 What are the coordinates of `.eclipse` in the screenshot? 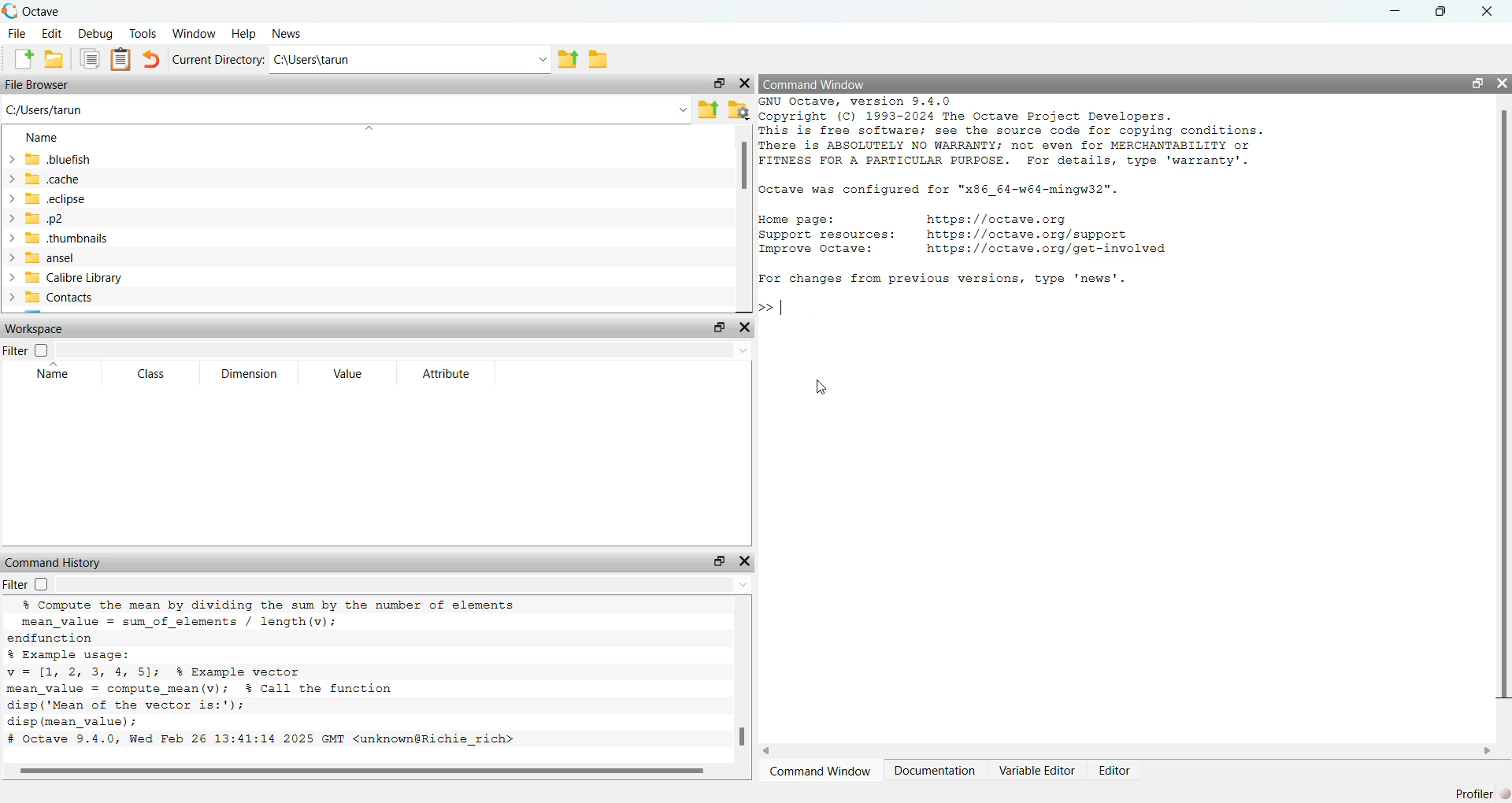 It's located at (56, 198).